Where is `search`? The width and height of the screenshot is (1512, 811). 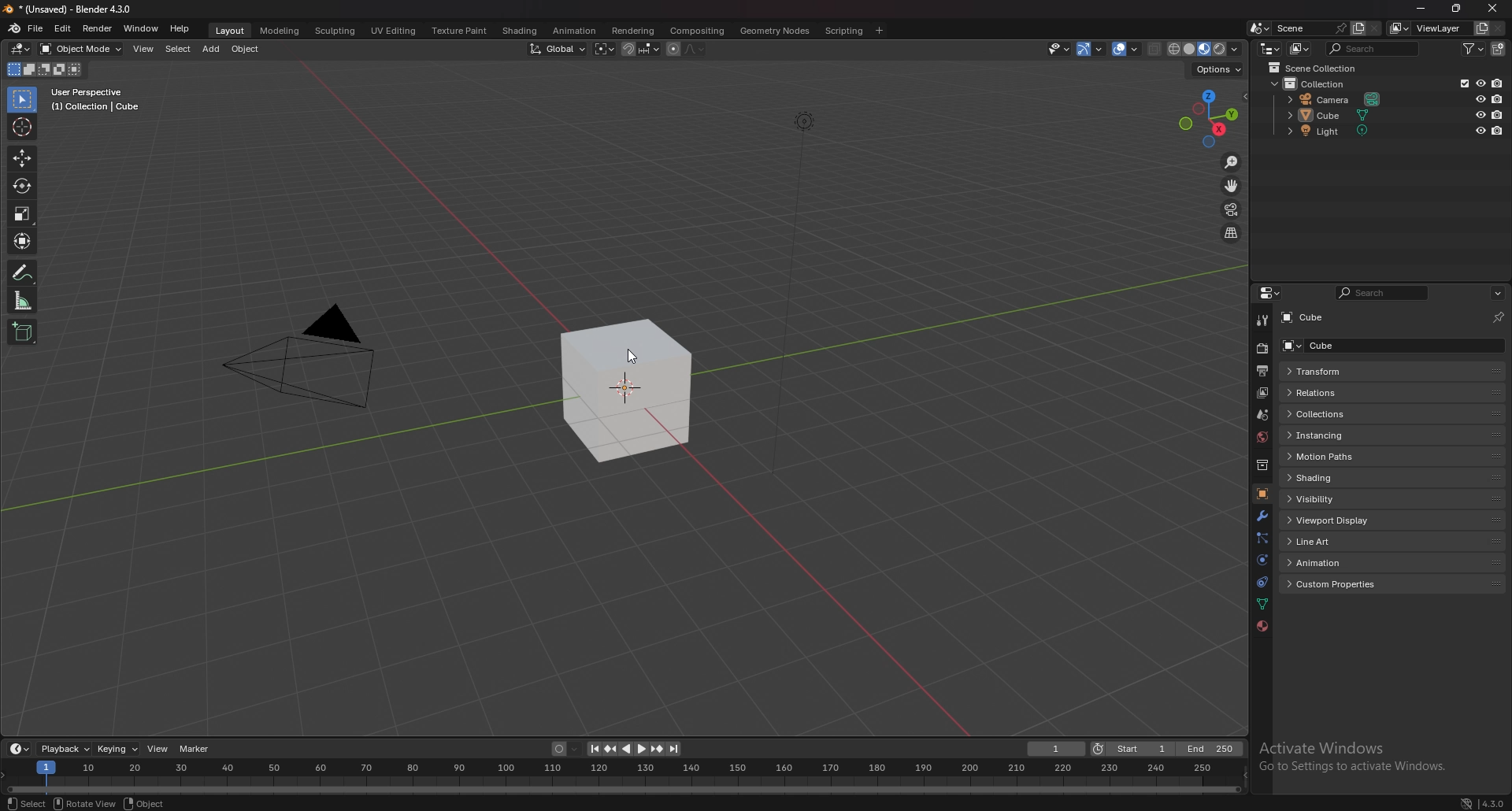 search is located at coordinates (1374, 48).